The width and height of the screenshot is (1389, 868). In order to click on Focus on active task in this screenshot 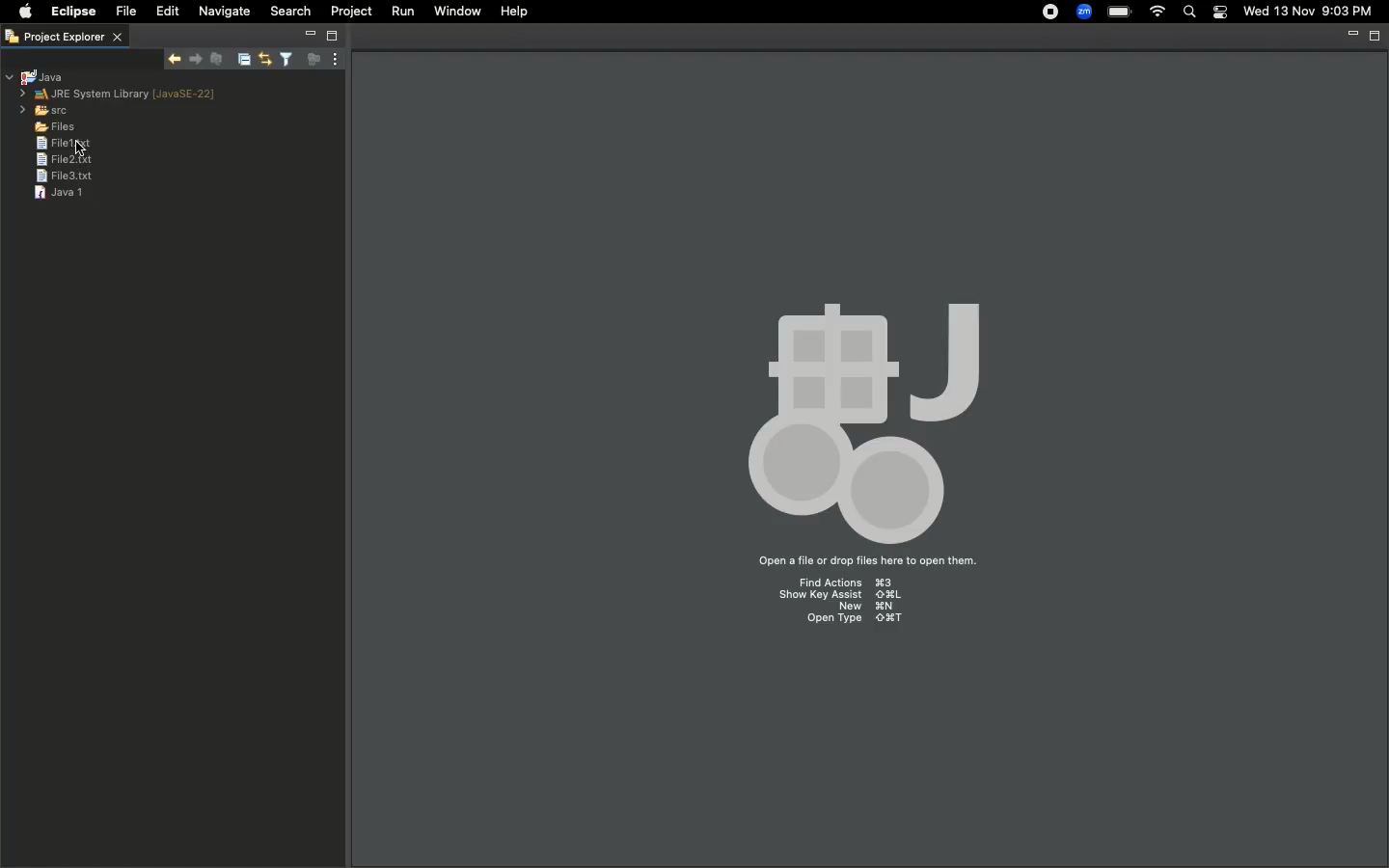, I will do `click(311, 60)`.